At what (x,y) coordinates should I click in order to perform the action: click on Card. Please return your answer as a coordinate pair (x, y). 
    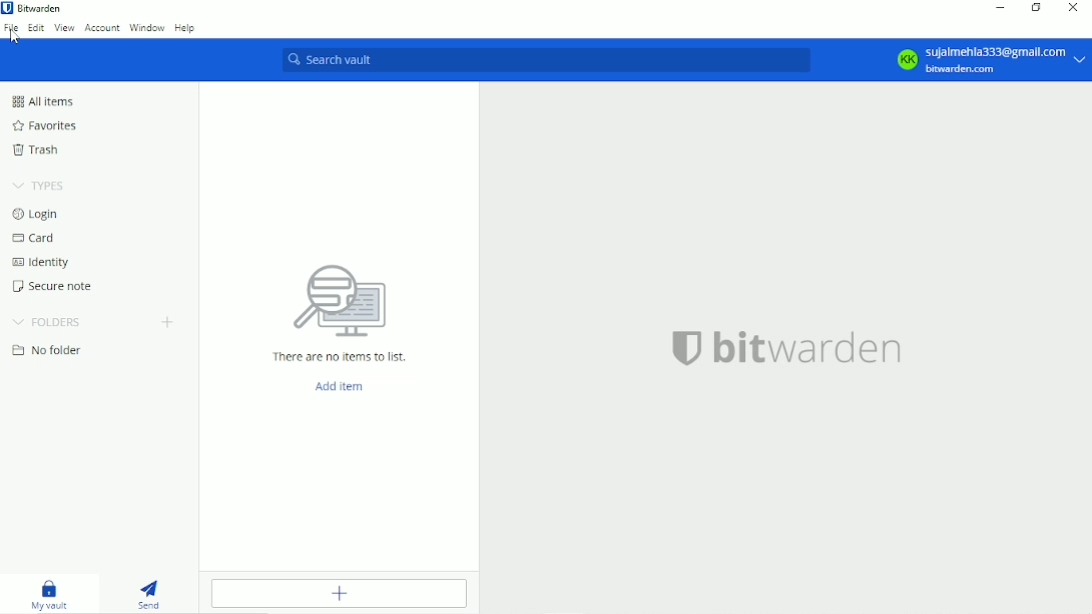
    Looking at the image, I should click on (38, 237).